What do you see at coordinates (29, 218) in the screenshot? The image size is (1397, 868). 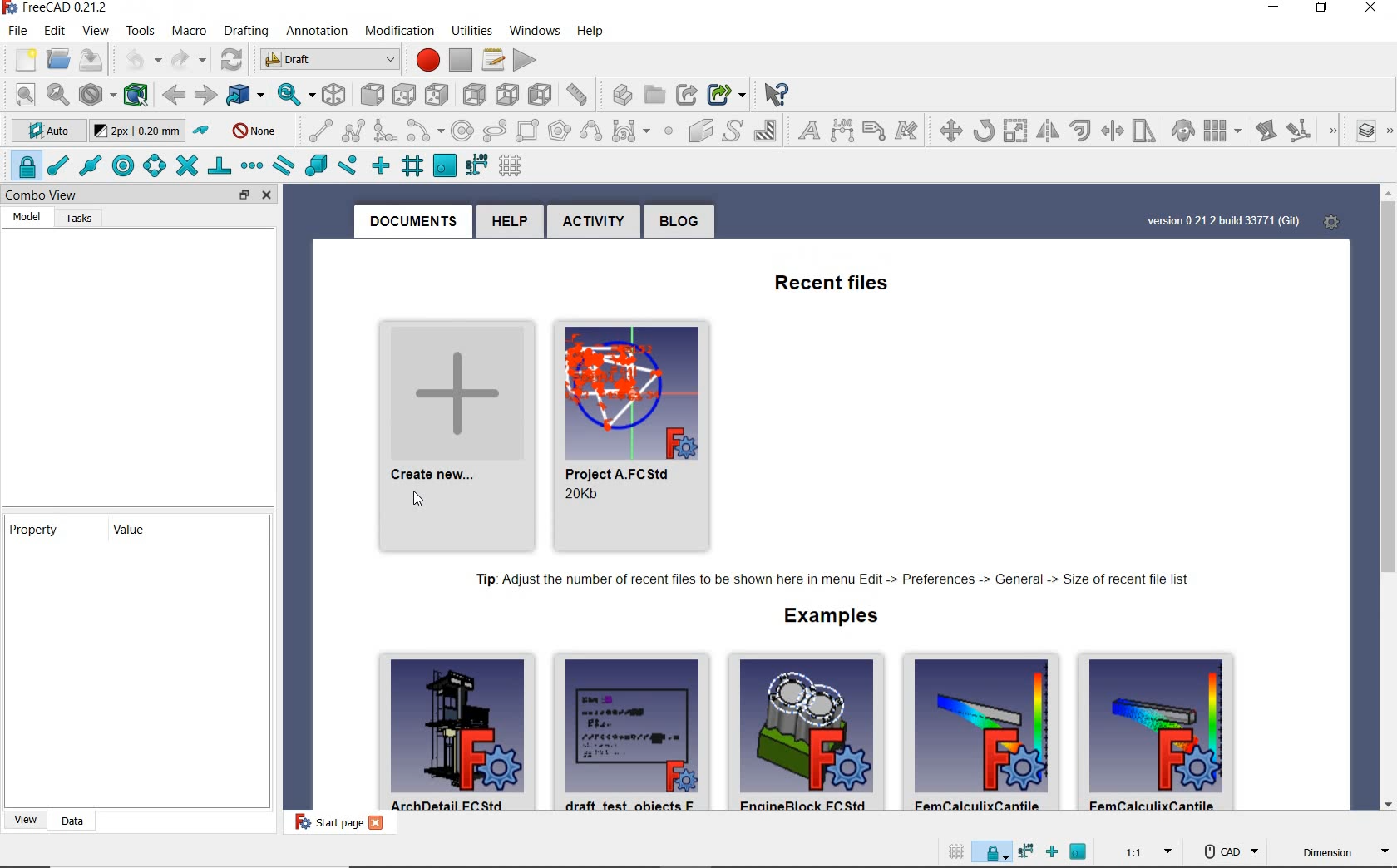 I see `model` at bounding box center [29, 218].